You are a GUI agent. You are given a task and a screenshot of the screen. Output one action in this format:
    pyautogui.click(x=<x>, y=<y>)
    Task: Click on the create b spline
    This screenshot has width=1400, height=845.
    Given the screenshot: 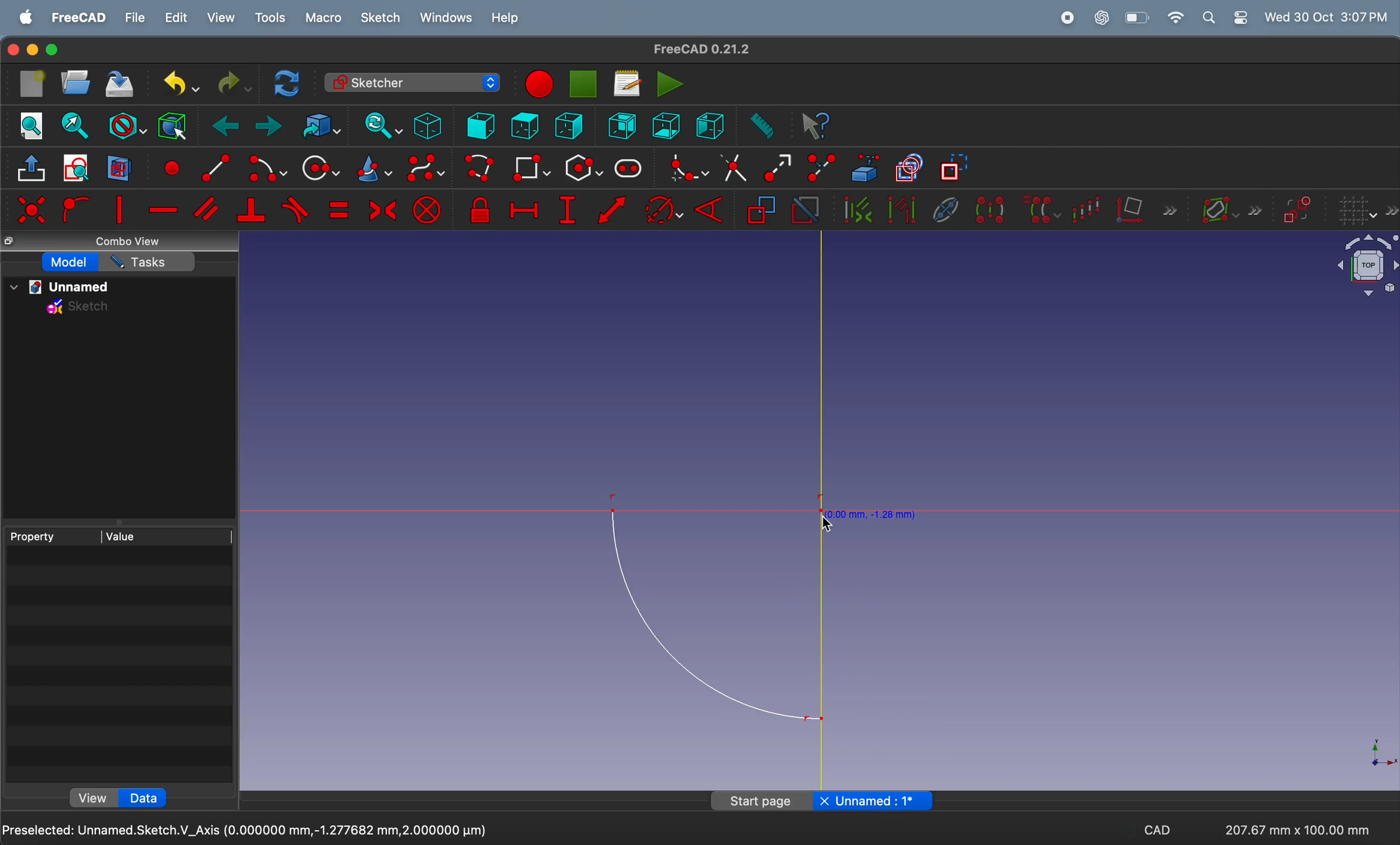 What is the action you would take?
    pyautogui.click(x=427, y=170)
    